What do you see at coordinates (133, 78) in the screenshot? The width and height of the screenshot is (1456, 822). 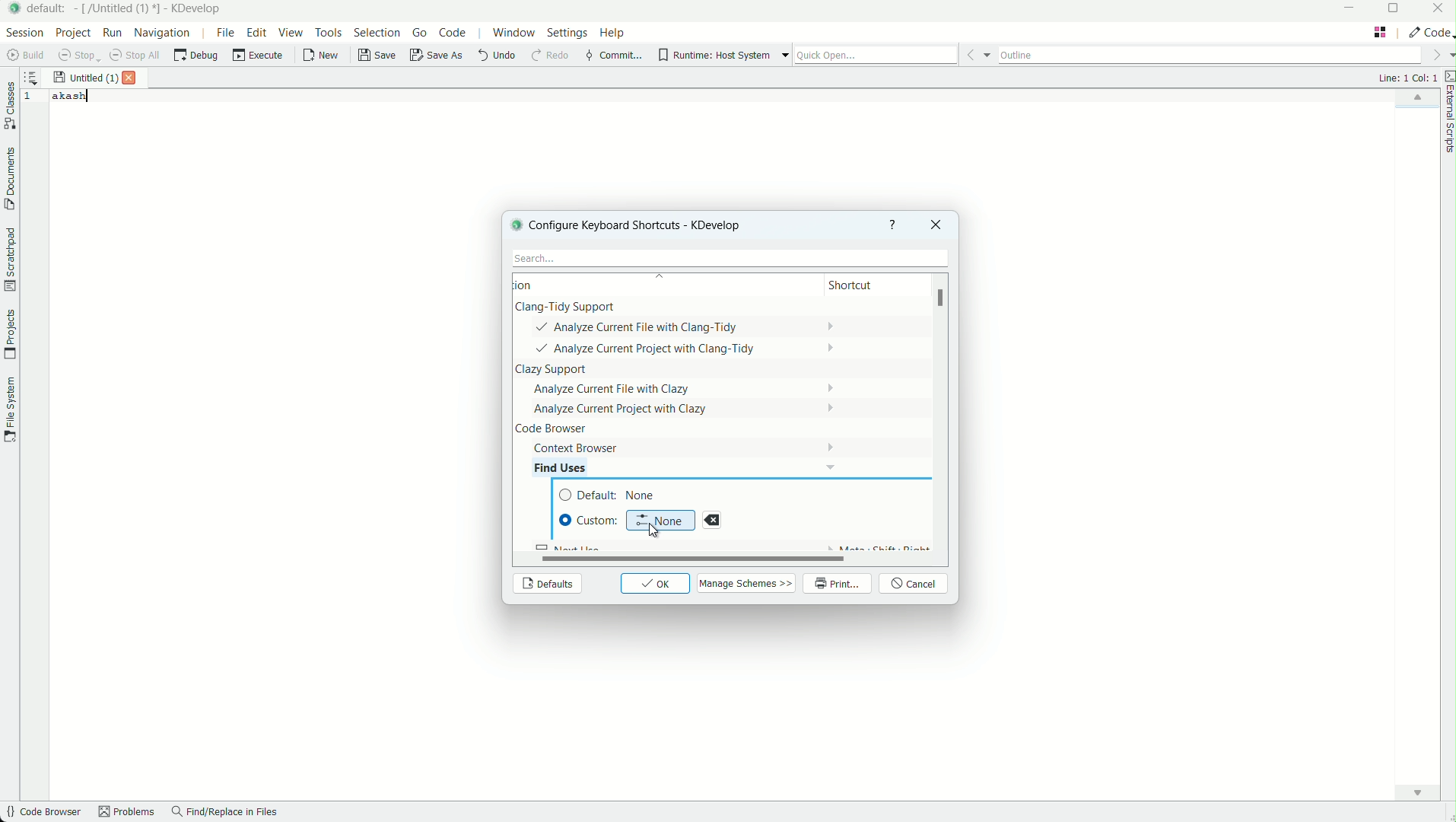 I see `close file` at bounding box center [133, 78].